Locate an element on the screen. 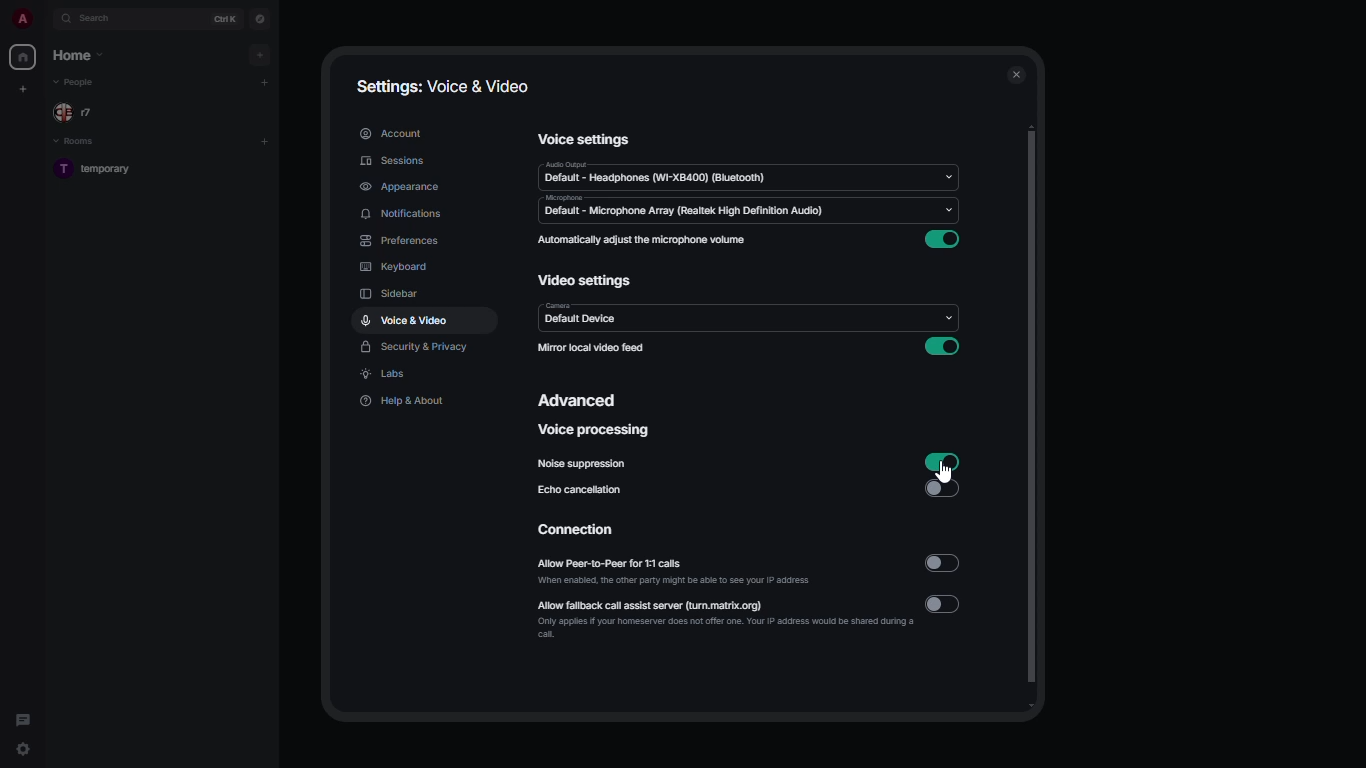  people is located at coordinates (78, 82).